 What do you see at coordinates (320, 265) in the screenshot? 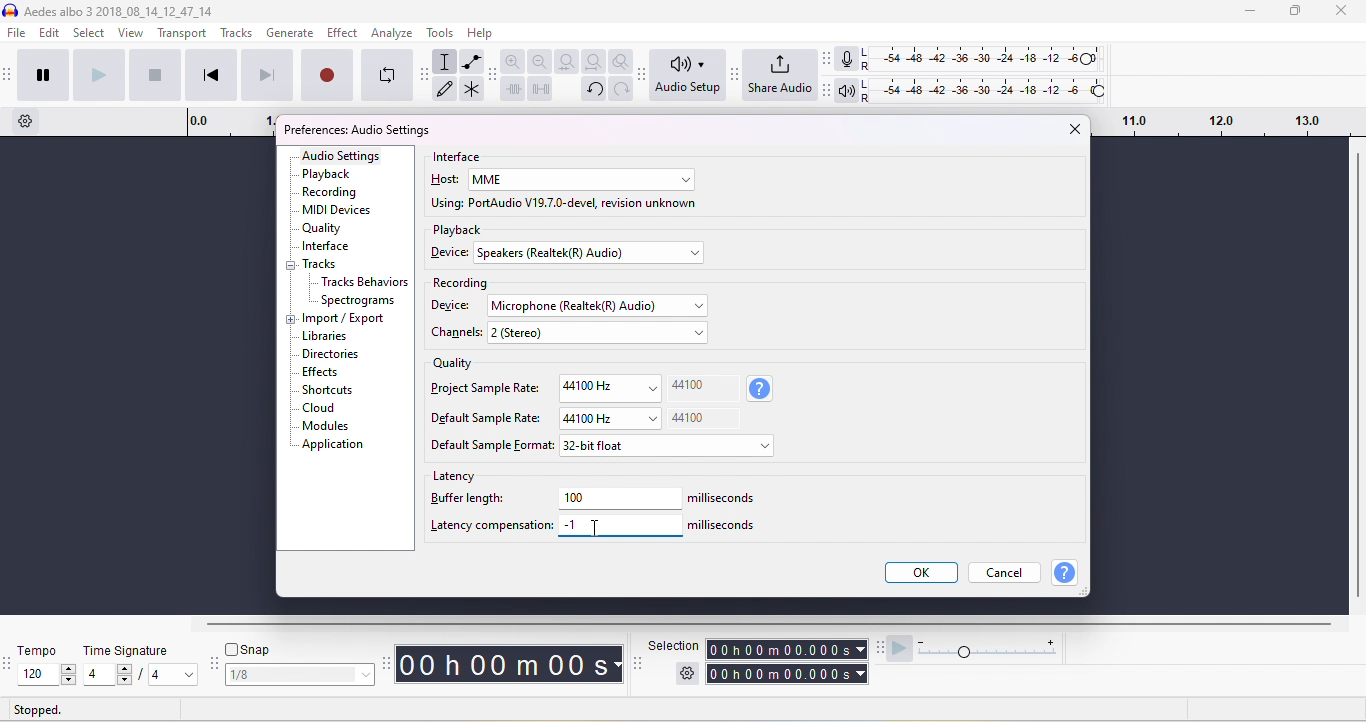
I see `tracks` at bounding box center [320, 265].